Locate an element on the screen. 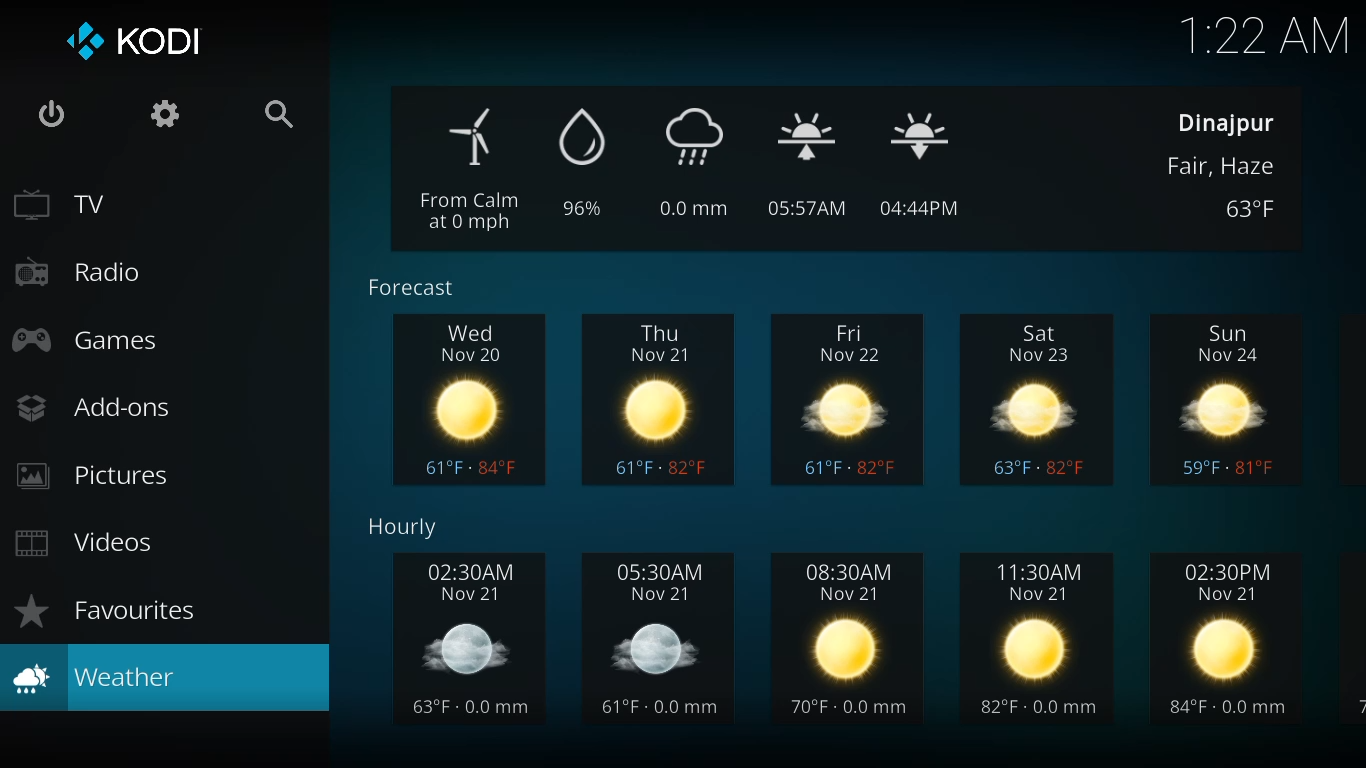 The width and height of the screenshot is (1366, 768). games is located at coordinates (86, 339).